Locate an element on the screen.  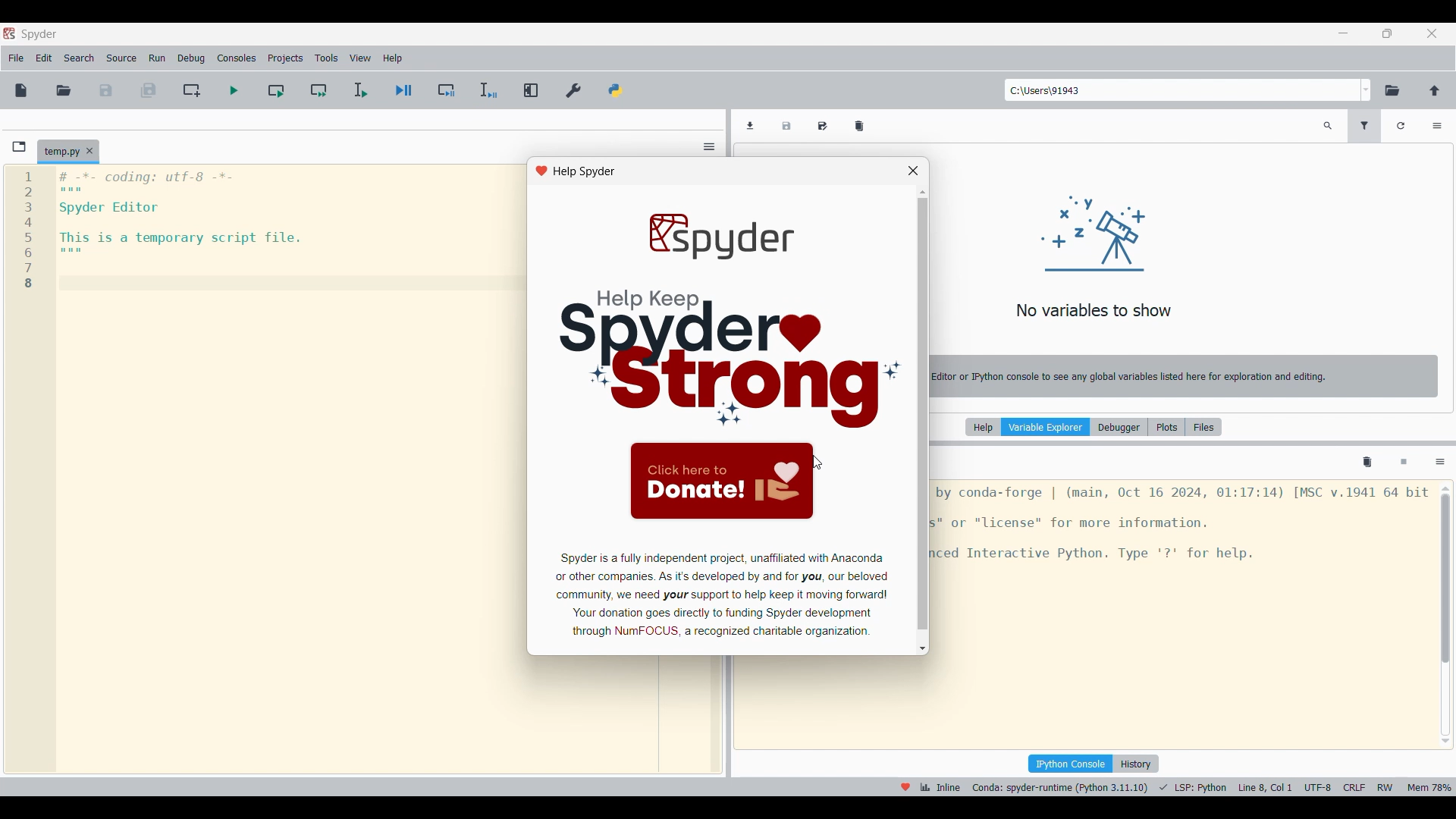
vertical scroll bar is located at coordinates (924, 421).